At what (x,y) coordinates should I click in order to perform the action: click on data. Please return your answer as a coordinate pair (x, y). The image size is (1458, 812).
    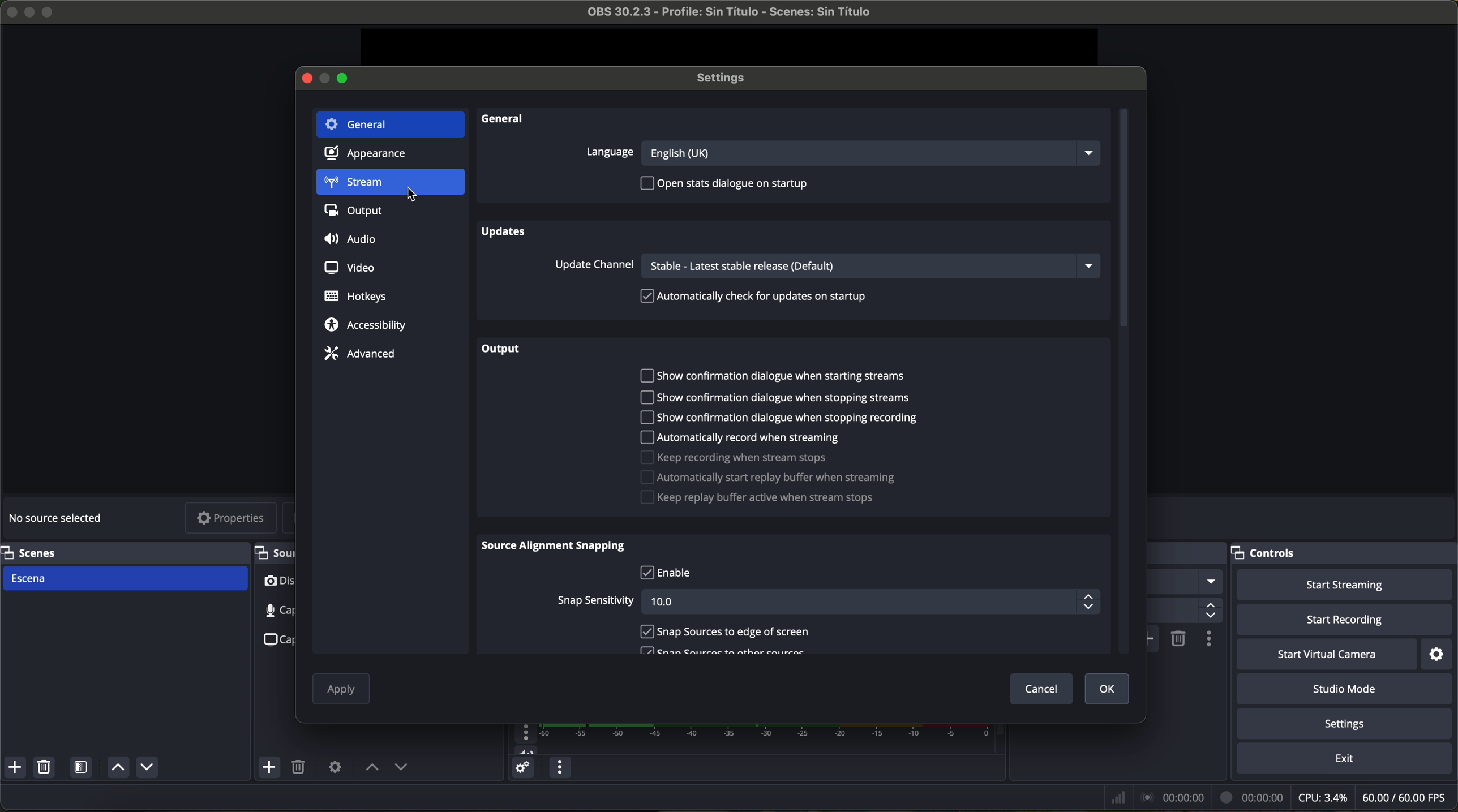
    Looking at the image, I should click on (1277, 797).